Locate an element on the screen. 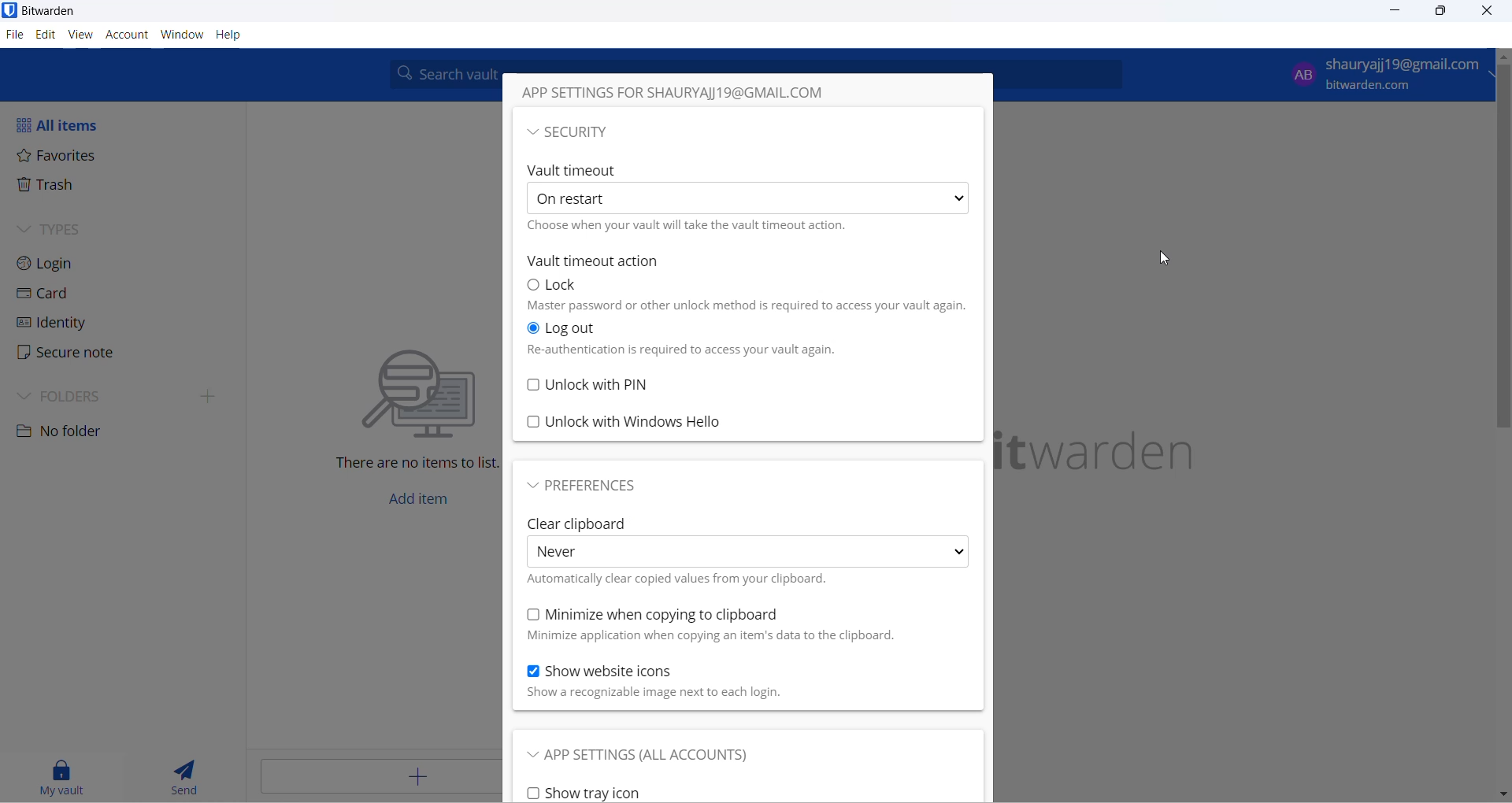 The width and height of the screenshot is (1512, 803). file  is located at coordinates (17, 37).